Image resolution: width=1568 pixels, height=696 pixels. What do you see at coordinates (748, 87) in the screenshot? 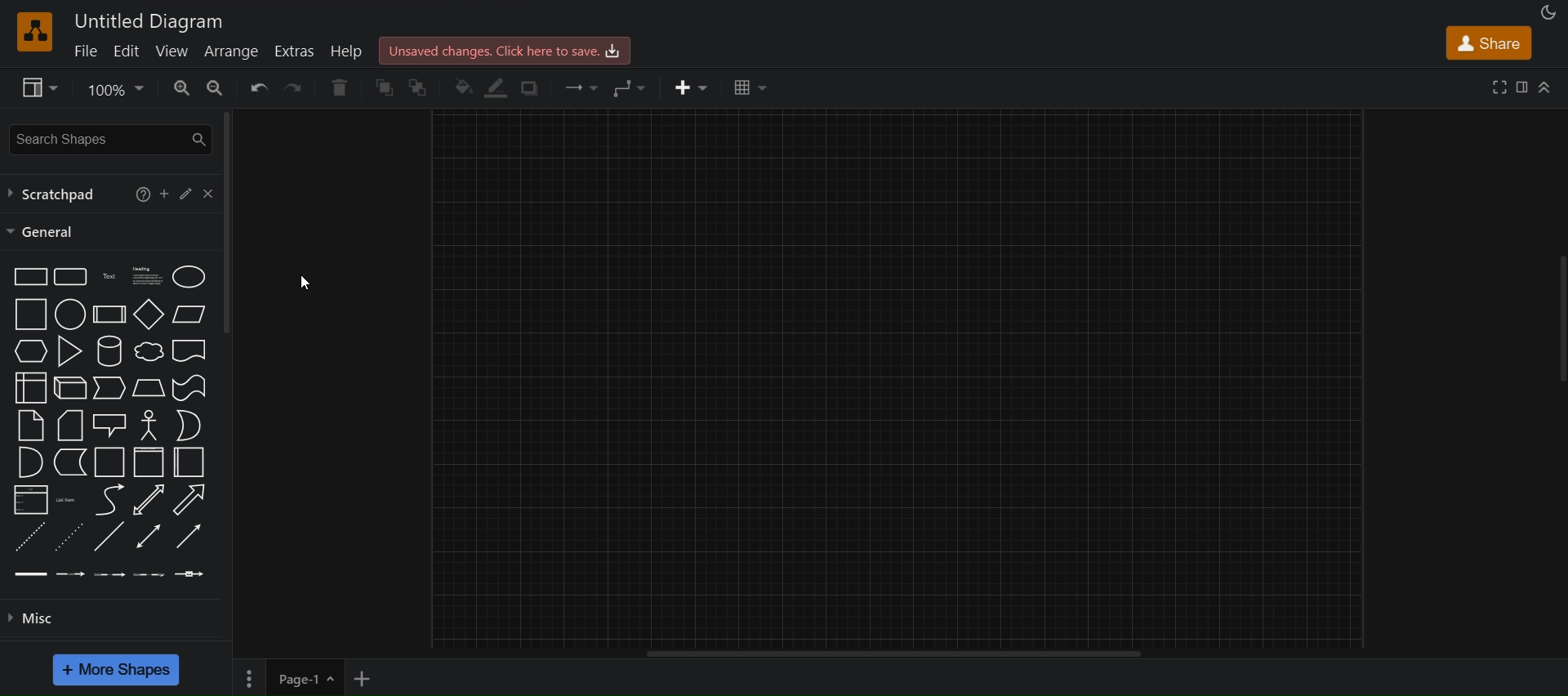
I see `table` at bounding box center [748, 87].